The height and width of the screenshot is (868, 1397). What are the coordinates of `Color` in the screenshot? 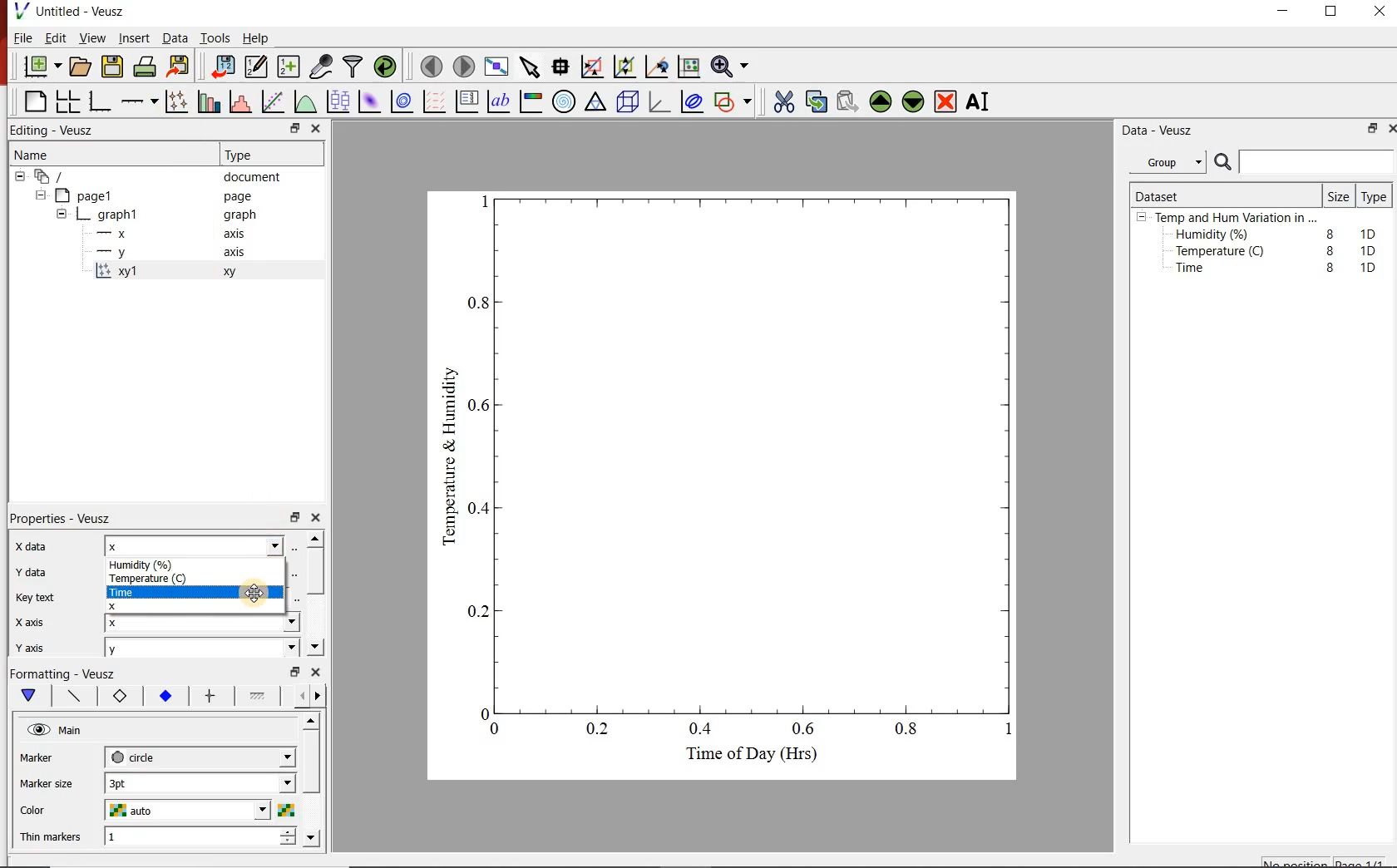 It's located at (52, 811).